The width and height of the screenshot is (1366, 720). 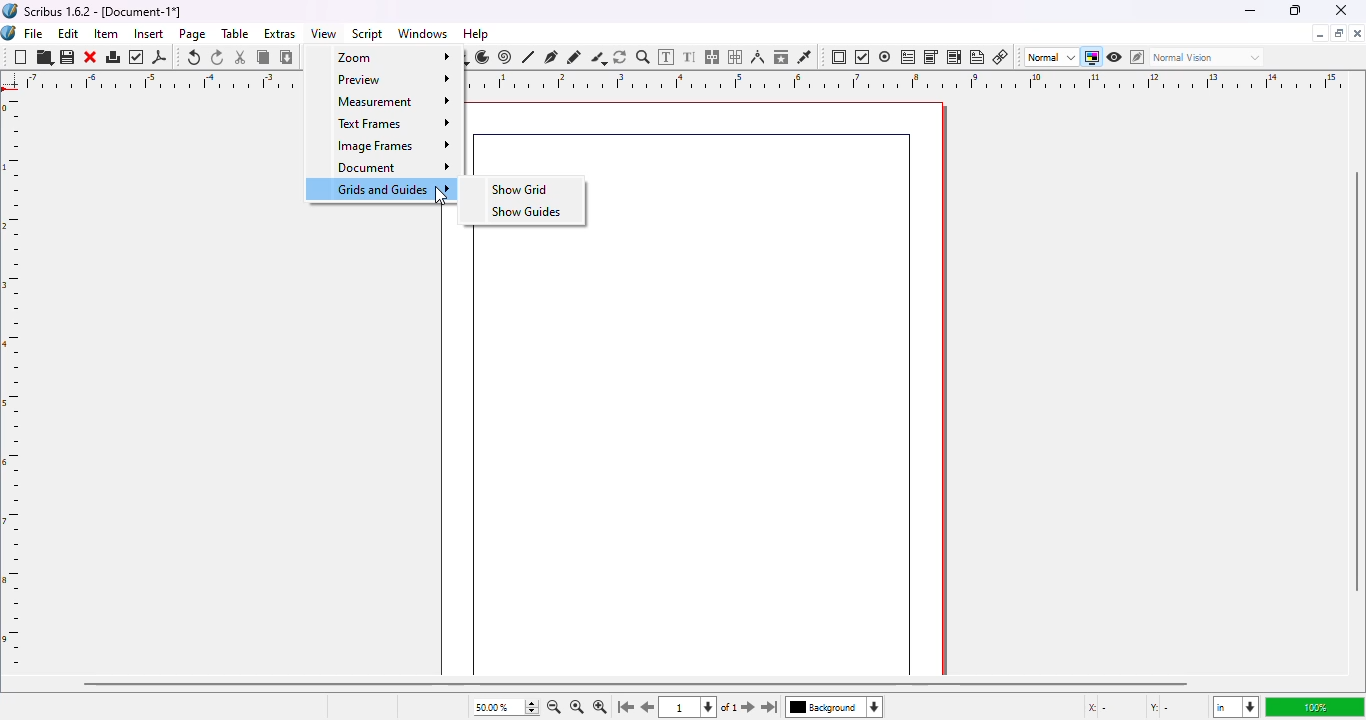 What do you see at coordinates (840, 709) in the screenshot?
I see `background` at bounding box center [840, 709].